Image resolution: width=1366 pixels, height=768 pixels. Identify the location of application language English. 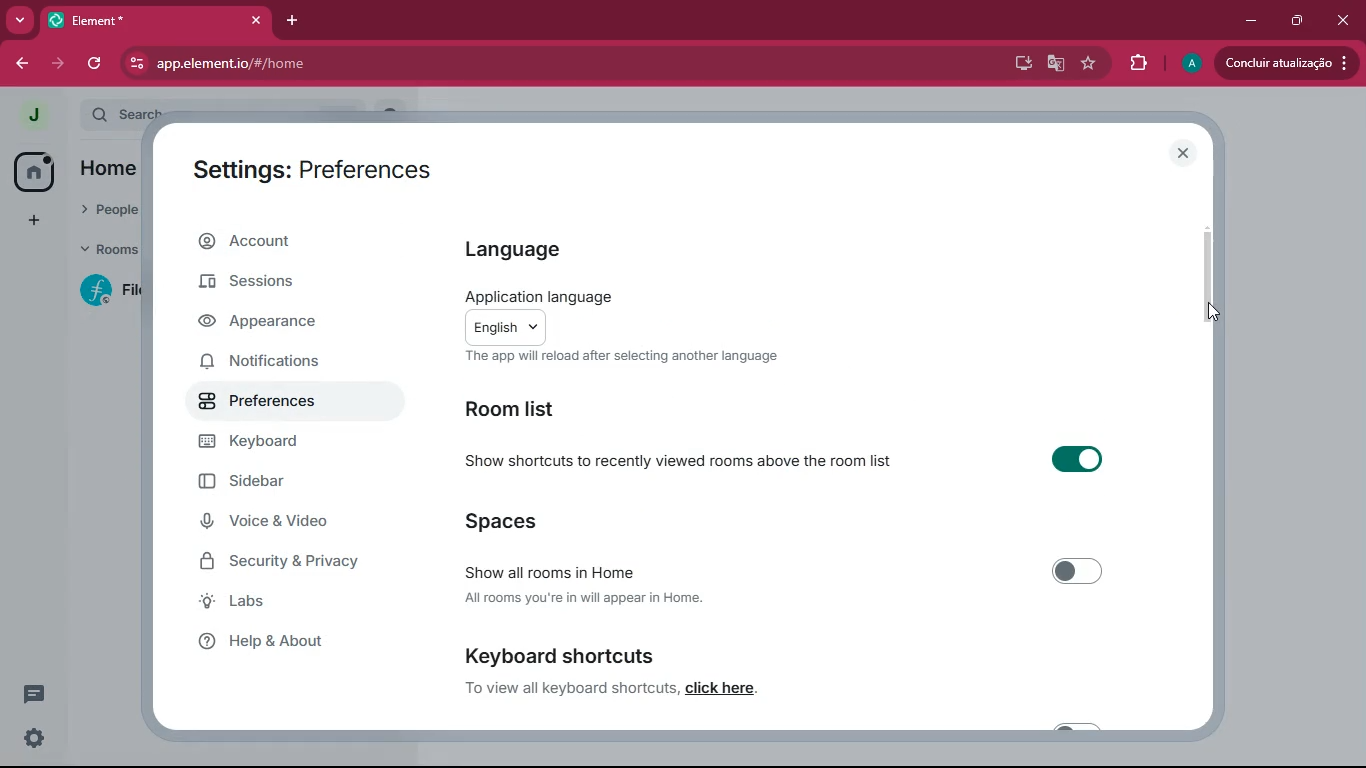
(638, 314).